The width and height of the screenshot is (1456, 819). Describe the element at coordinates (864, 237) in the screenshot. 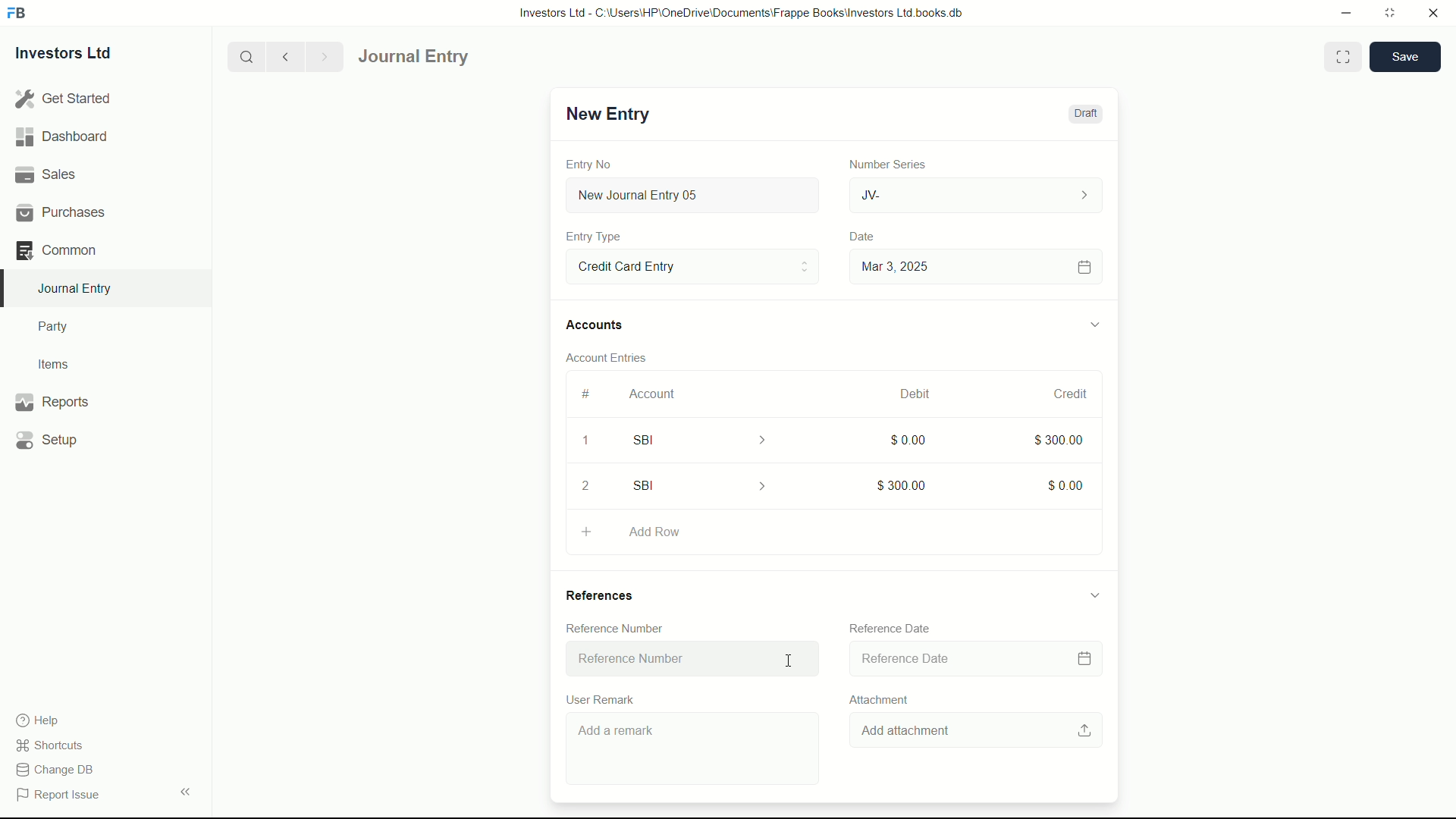

I see `Date` at that location.